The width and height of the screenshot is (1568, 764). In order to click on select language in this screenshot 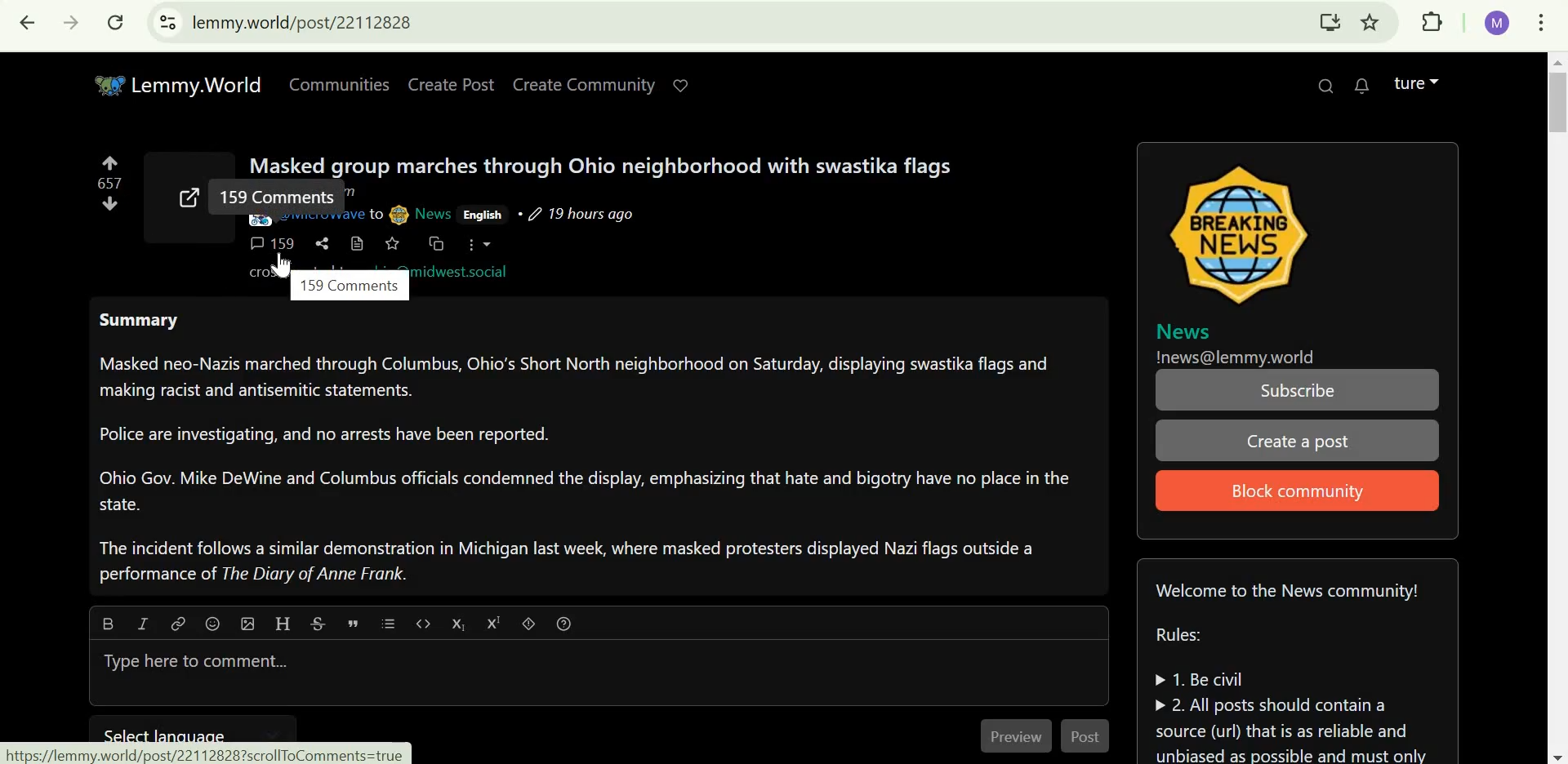, I will do `click(169, 731)`.